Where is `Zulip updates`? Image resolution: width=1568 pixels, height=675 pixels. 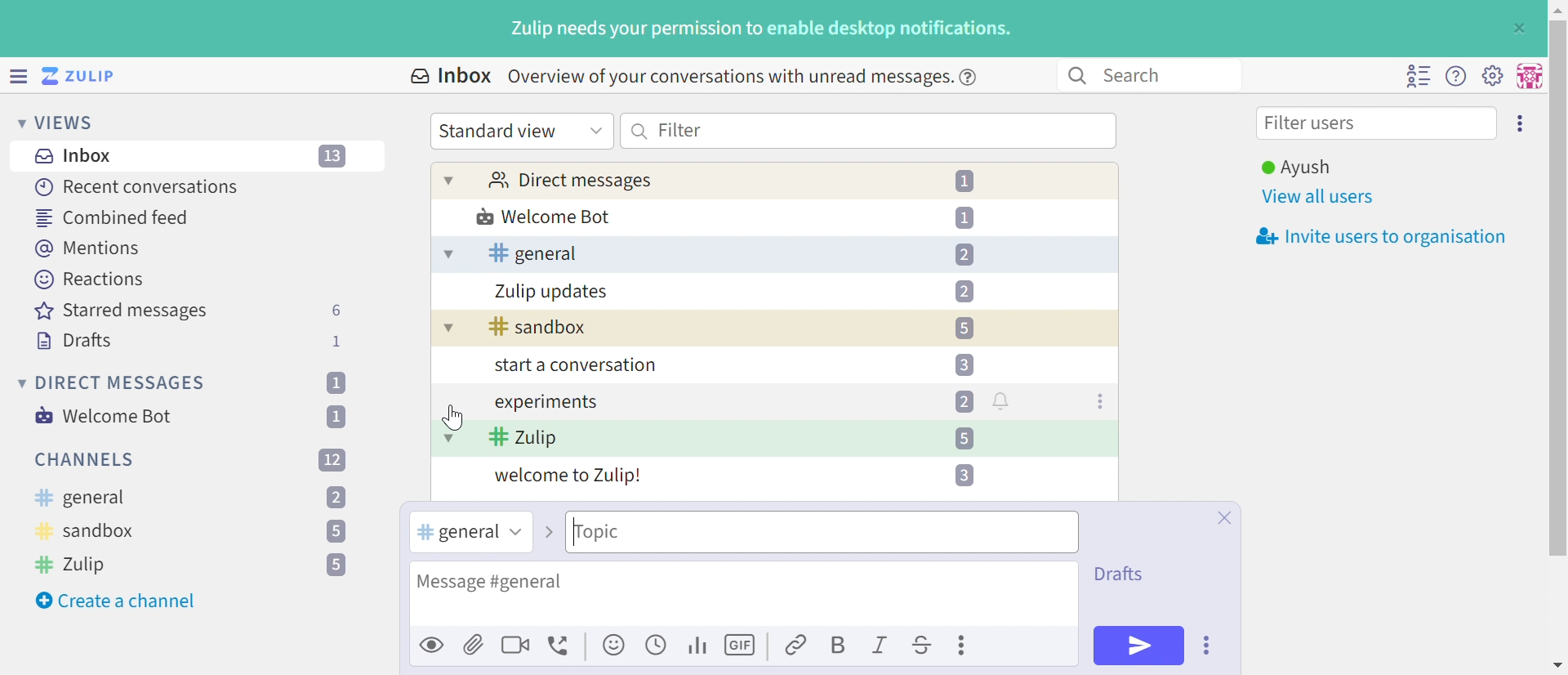
Zulip updates is located at coordinates (552, 292).